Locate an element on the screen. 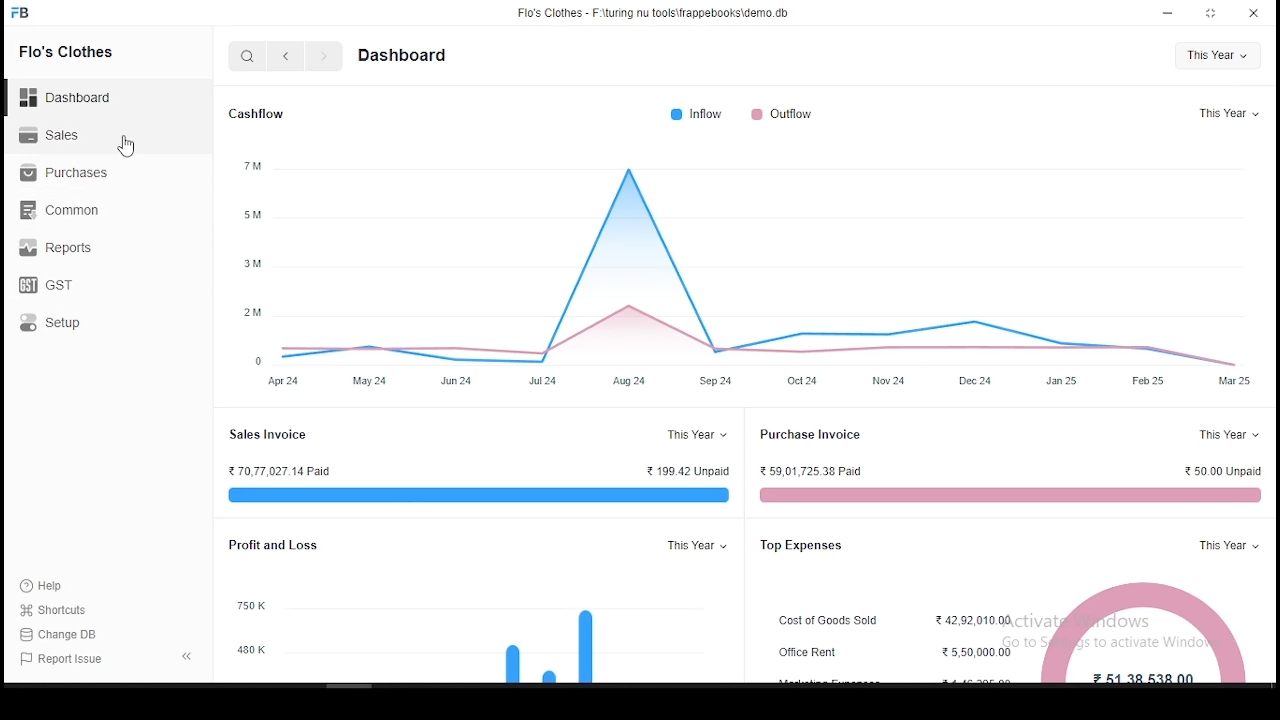 The width and height of the screenshot is (1280, 720). 550,000.00 is located at coordinates (967, 654).